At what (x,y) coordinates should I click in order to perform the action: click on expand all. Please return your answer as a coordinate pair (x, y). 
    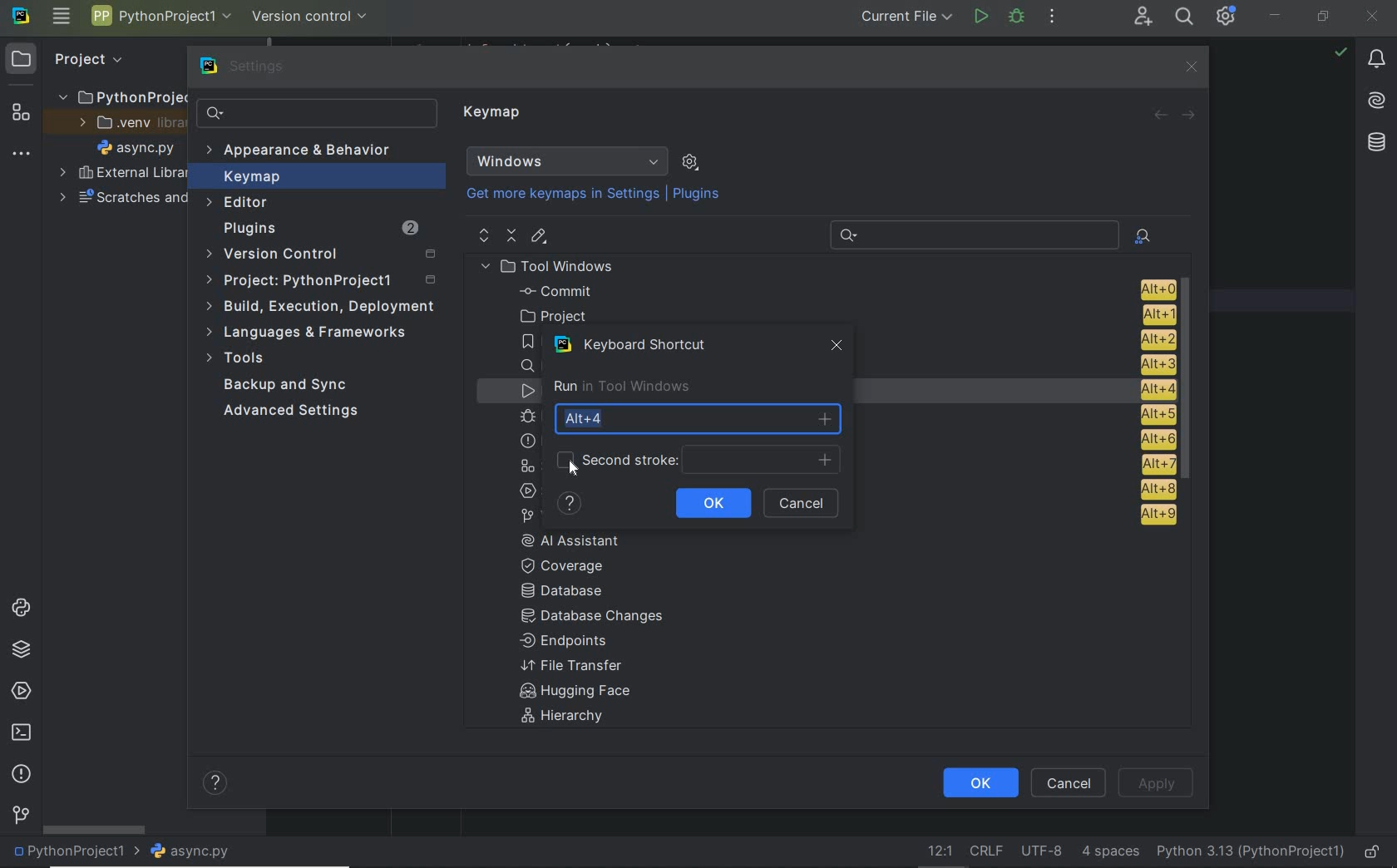
    Looking at the image, I should click on (482, 235).